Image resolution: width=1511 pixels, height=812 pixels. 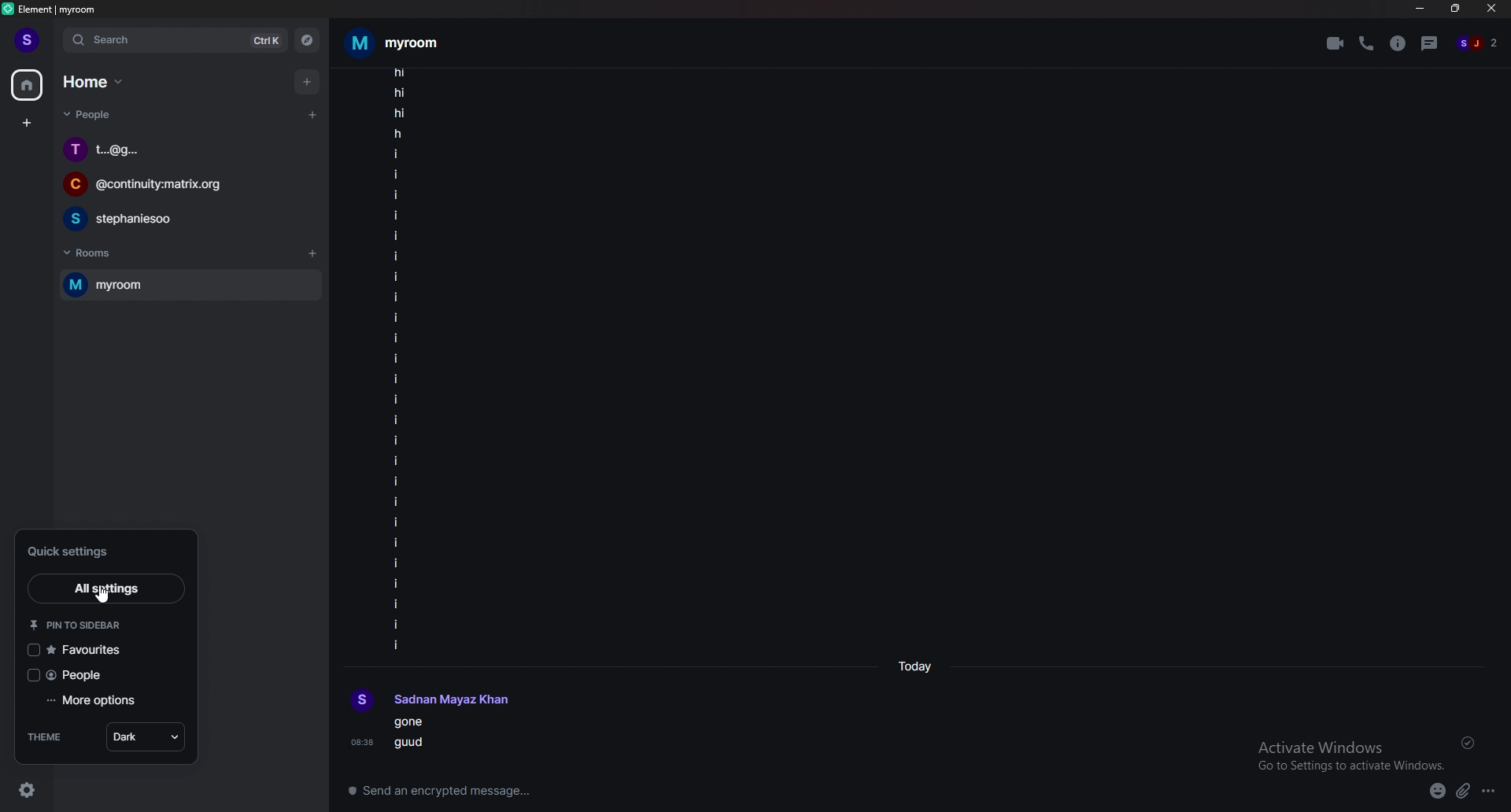 I want to click on attachment, so click(x=1463, y=792).